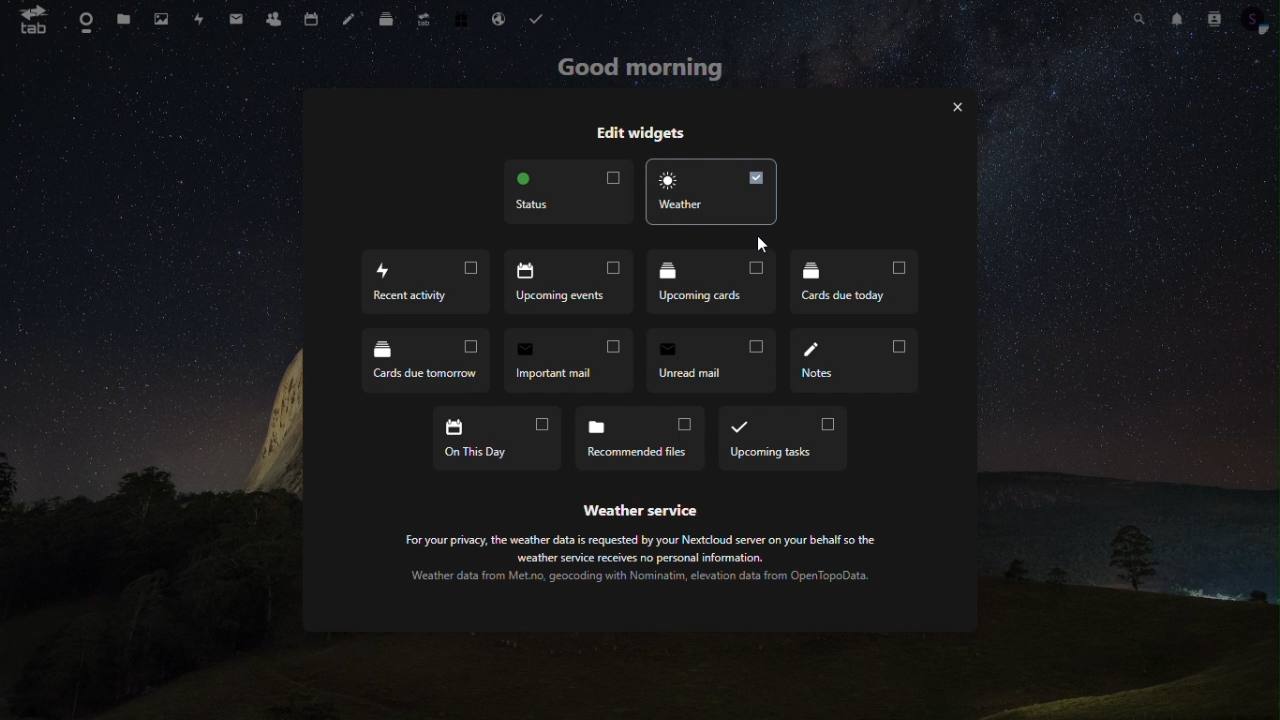  I want to click on status, so click(569, 194).